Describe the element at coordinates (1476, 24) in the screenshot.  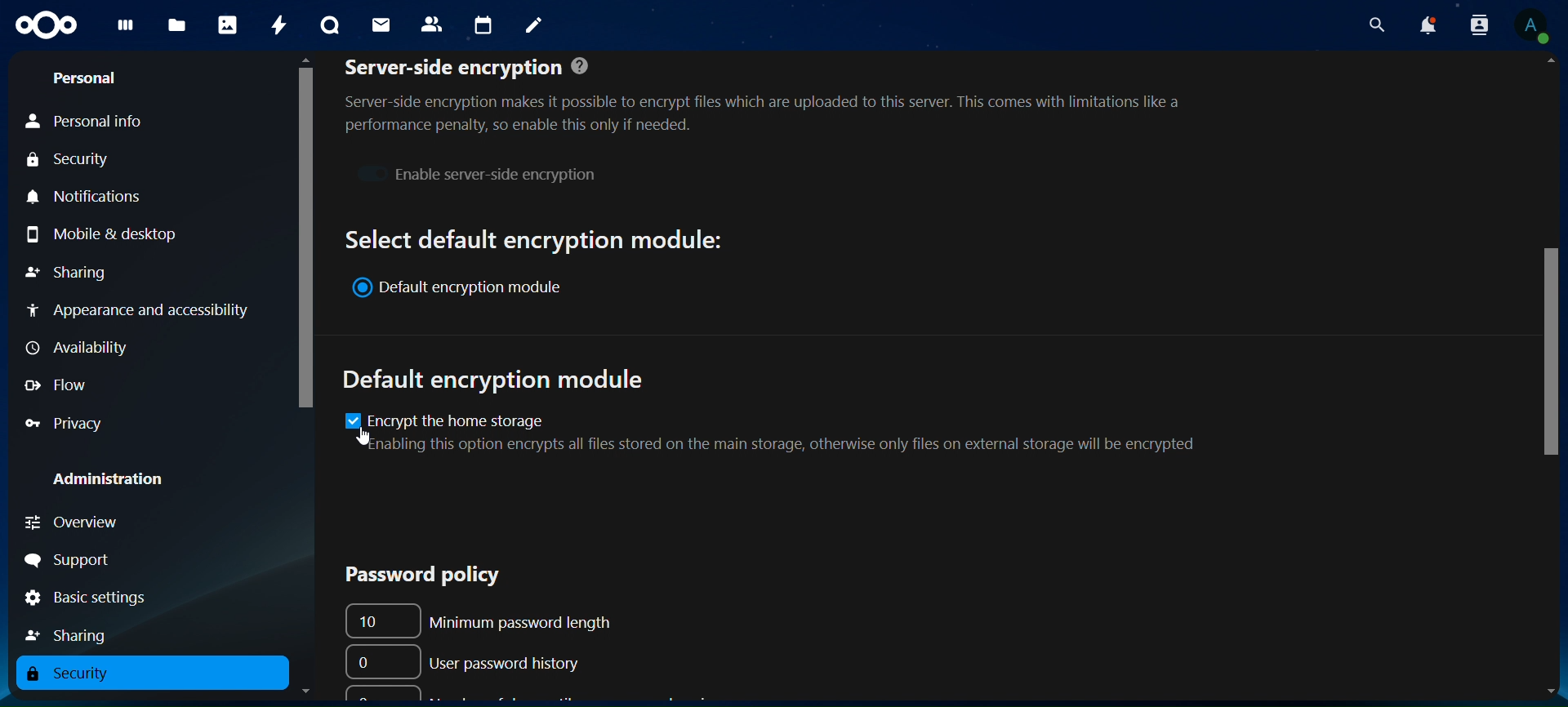
I see `notification` at that location.